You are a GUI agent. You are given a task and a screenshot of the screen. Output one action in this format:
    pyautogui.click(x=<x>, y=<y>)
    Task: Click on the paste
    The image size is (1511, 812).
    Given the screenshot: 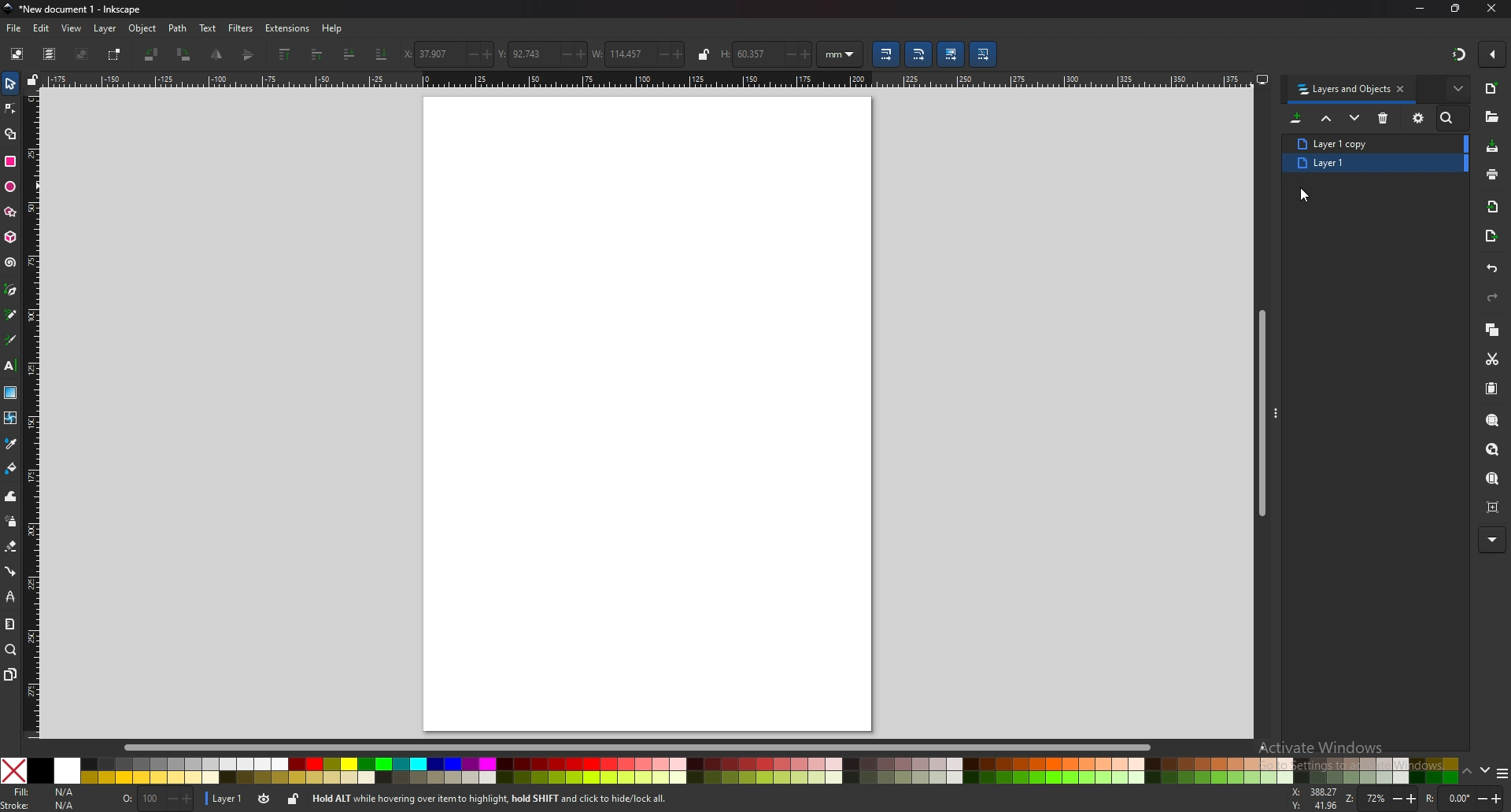 What is the action you would take?
    pyautogui.click(x=1492, y=388)
    